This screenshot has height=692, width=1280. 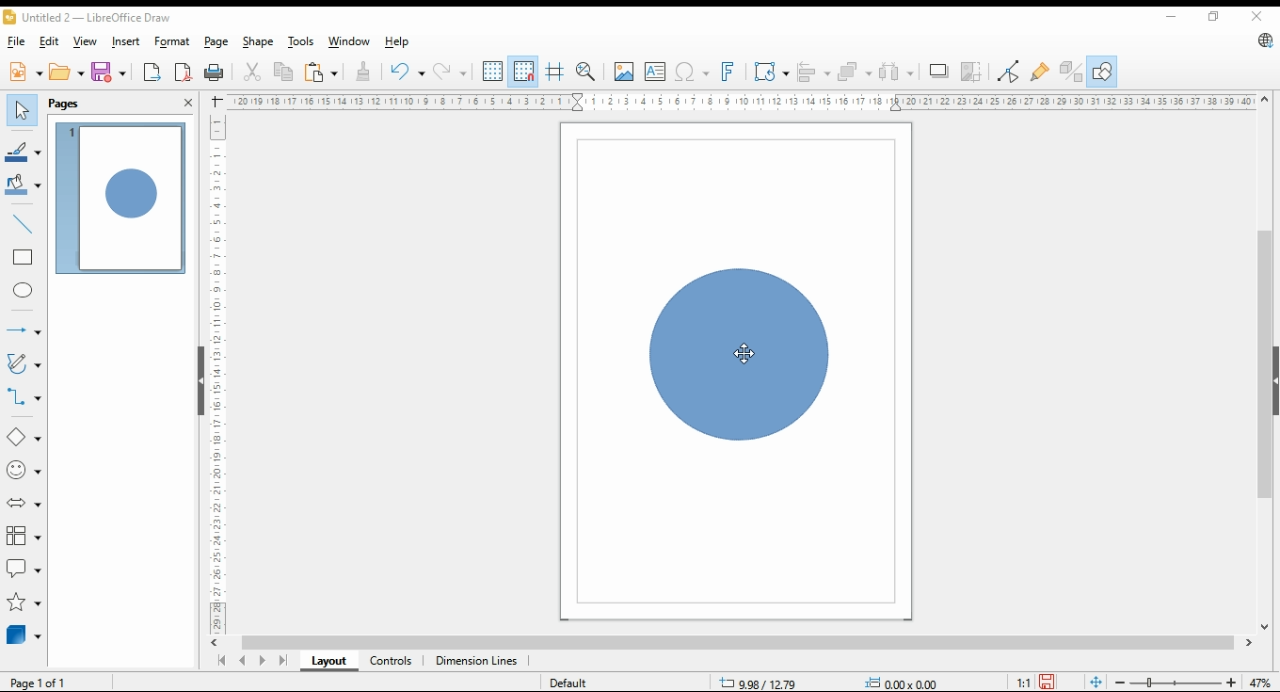 What do you see at coordinates (624, 71) in the screenshot?
I see `insert image` at bounding box center [624, 71].